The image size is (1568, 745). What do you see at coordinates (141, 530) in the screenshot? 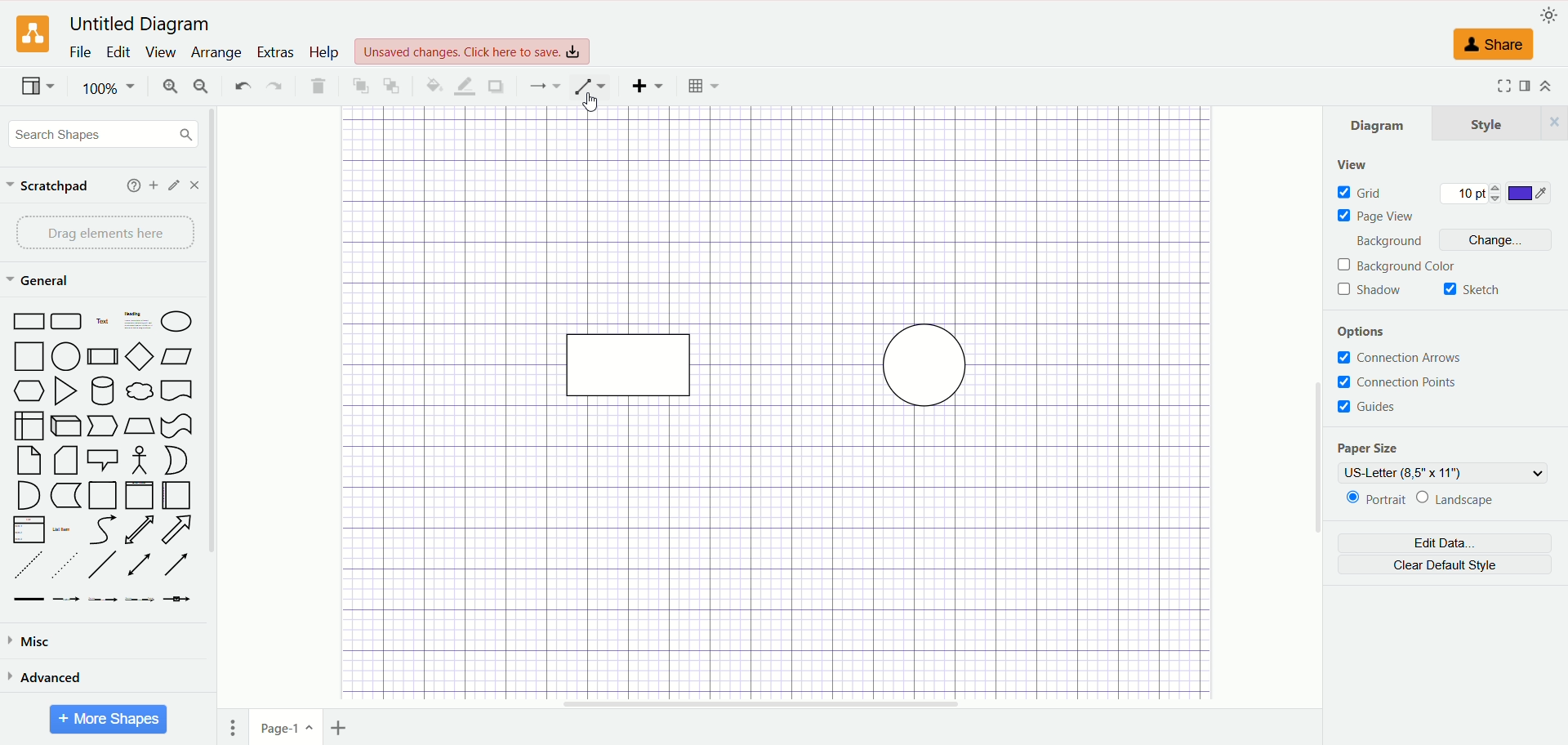
I see `Two way Arrow` at bounding box center [141, 530].